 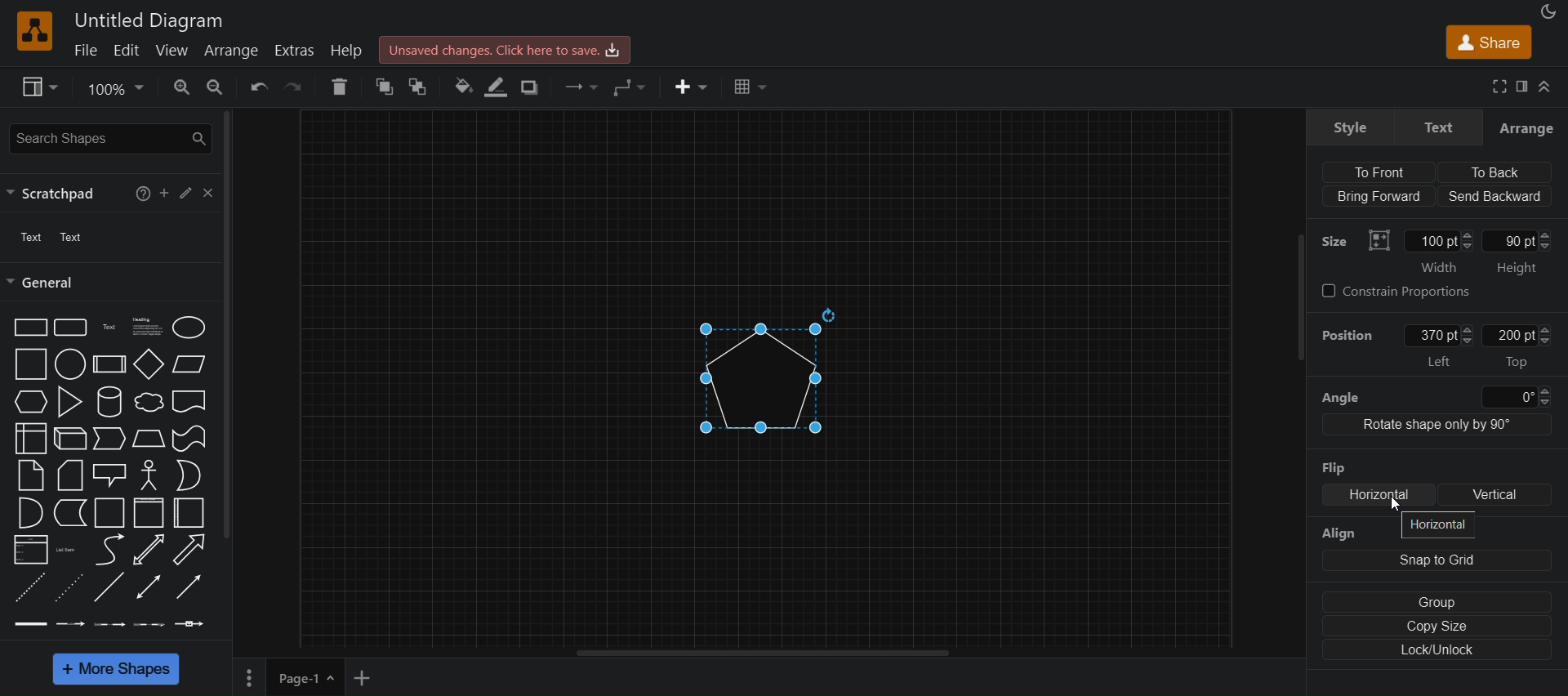 What do you see at coordinates (1437, 626) in the screenshot?
I see `copy size` at bounding box center [1437, 626].